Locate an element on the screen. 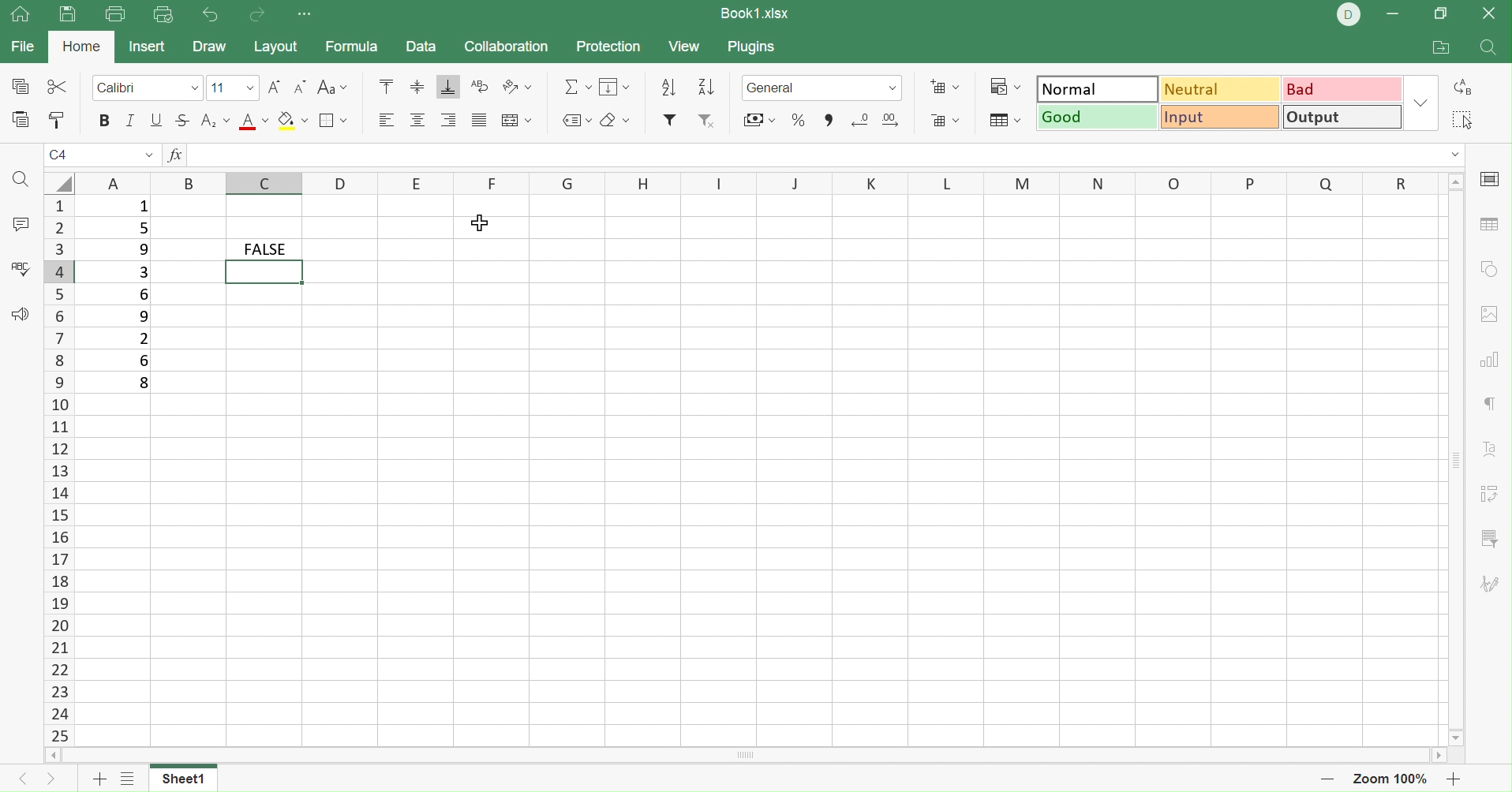 The width and height of the screenshot is (1512, 792). Zoom 100% is located at coordinates (1394, 779).